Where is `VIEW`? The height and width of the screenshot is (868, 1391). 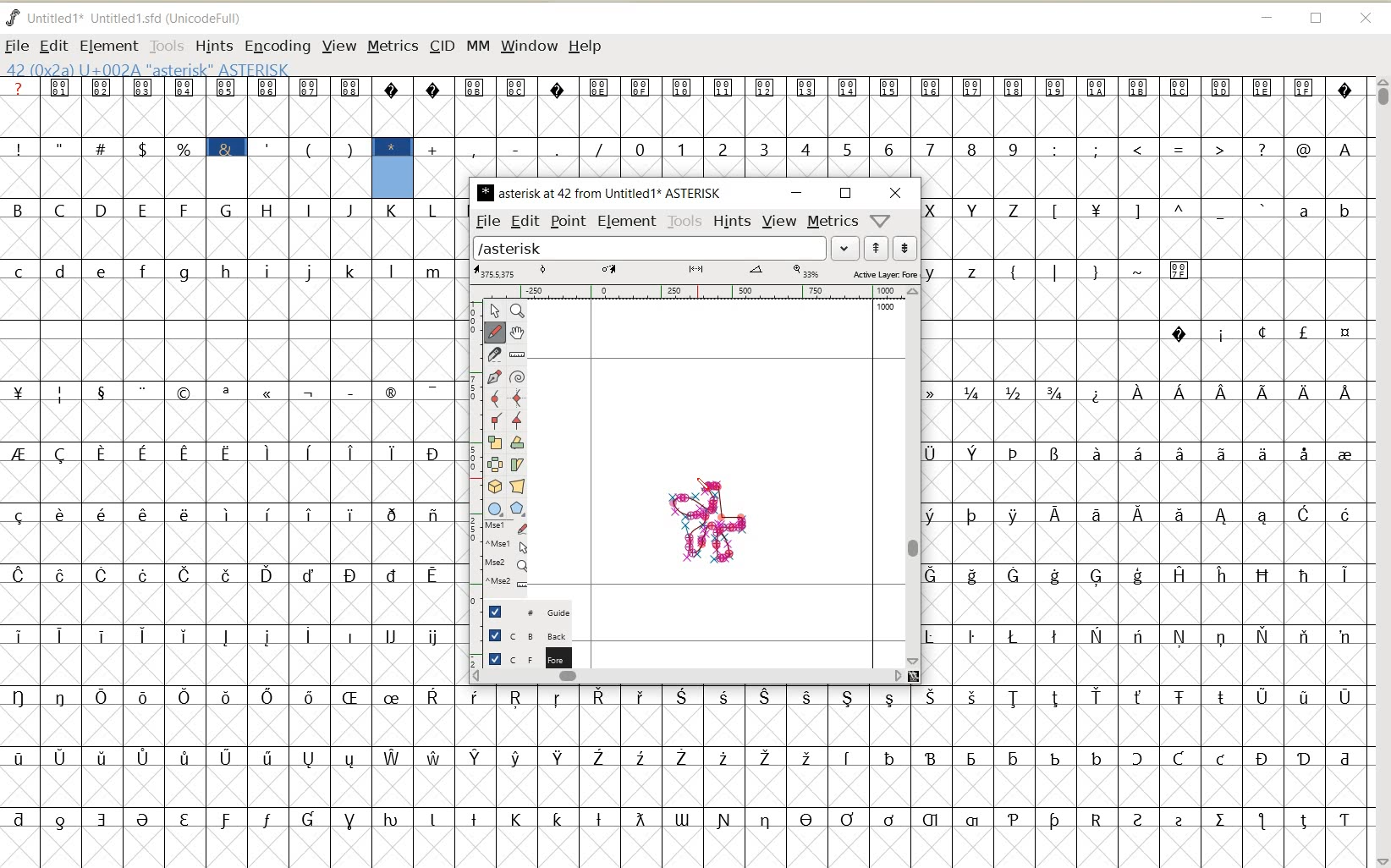
VIEW is located at coordinates (778, 222).